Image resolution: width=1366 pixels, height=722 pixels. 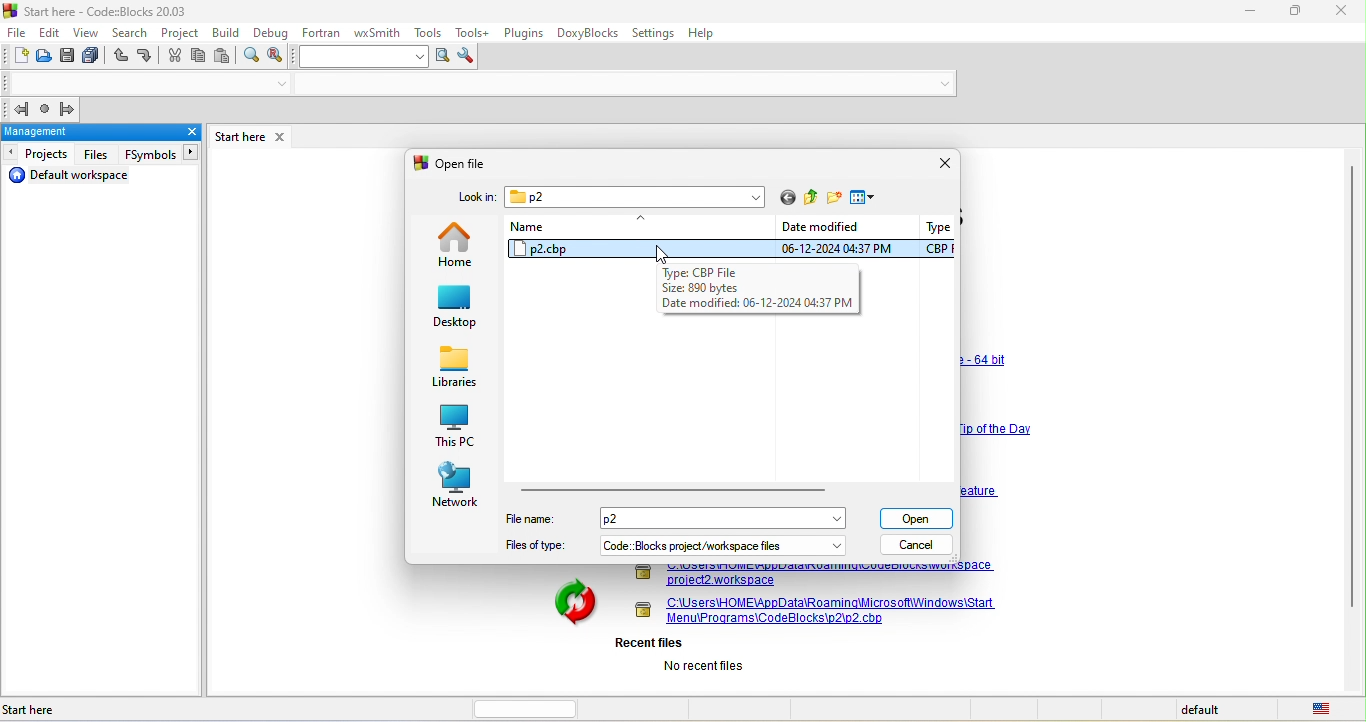 What do you see at coordinates (480, 196) in the screenshot?
I see `lock in` at bounding box center [480, 196].